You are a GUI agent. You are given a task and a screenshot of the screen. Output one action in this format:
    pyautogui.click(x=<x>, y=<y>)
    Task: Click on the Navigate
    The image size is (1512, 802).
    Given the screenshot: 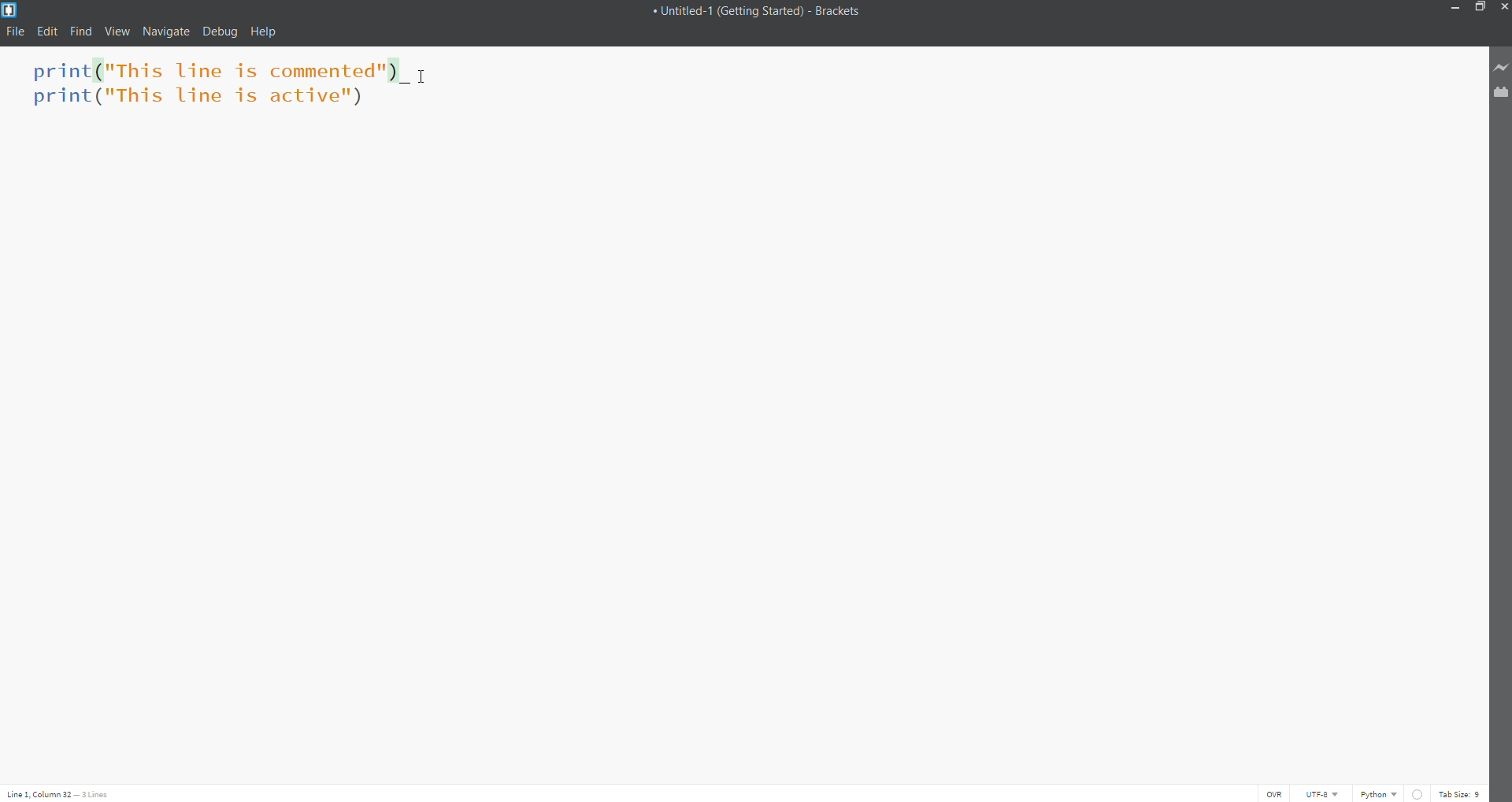 What is the action you would take?
    pyautogui.click(x=165, y=32)
    